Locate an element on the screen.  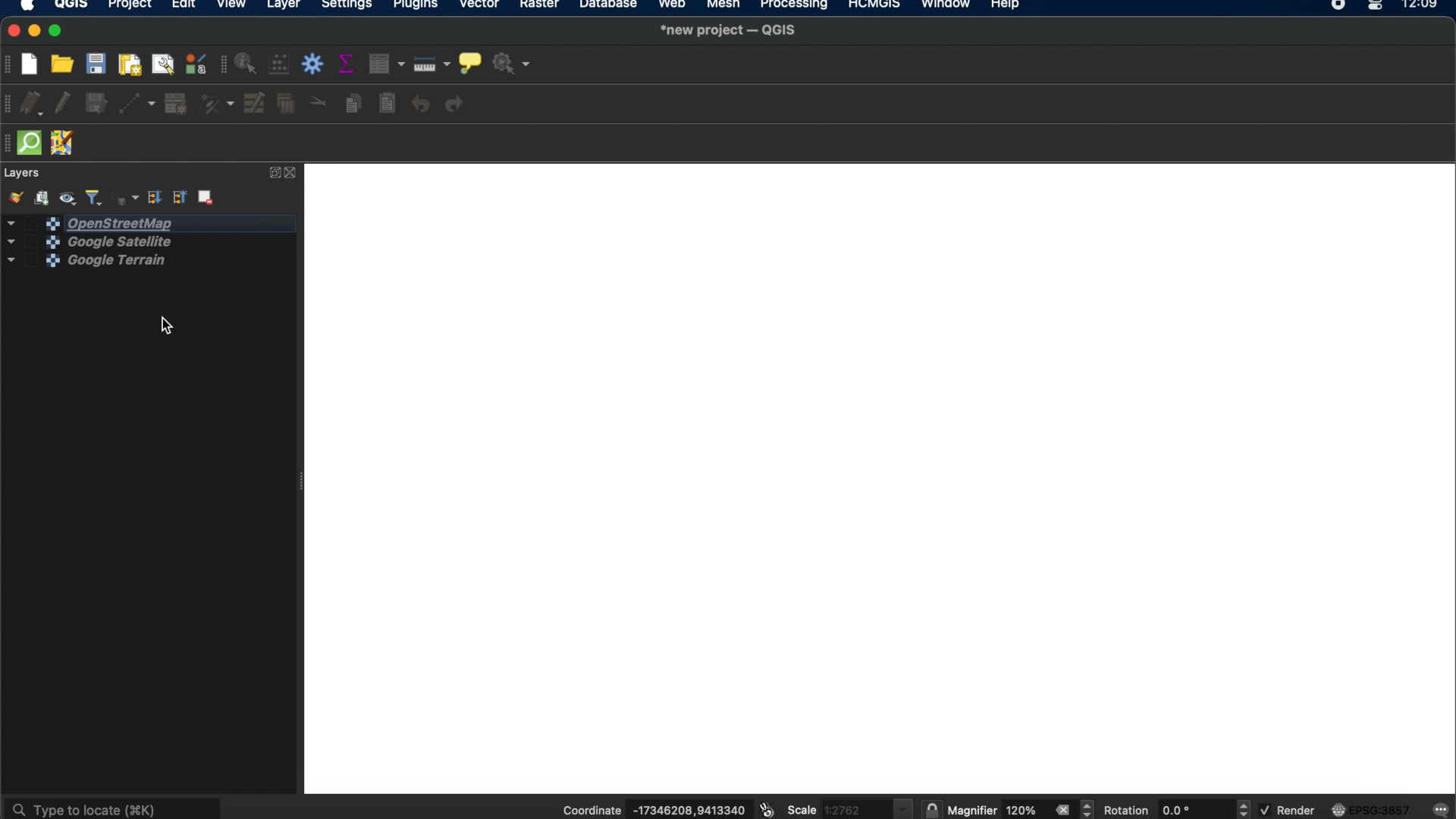
close is located at coordinates (1062, 810).